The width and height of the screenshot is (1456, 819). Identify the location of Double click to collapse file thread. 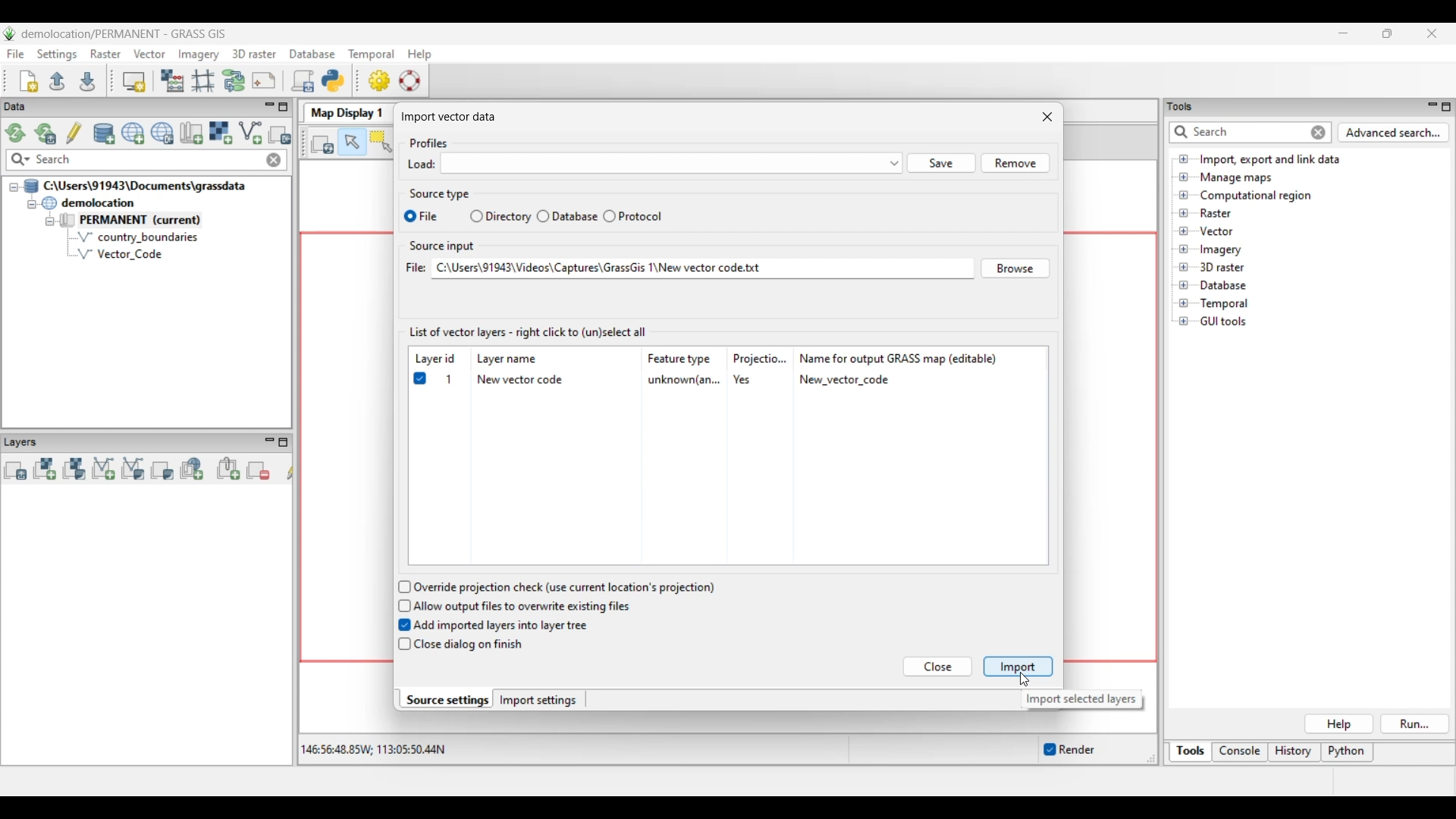
(135, 186).